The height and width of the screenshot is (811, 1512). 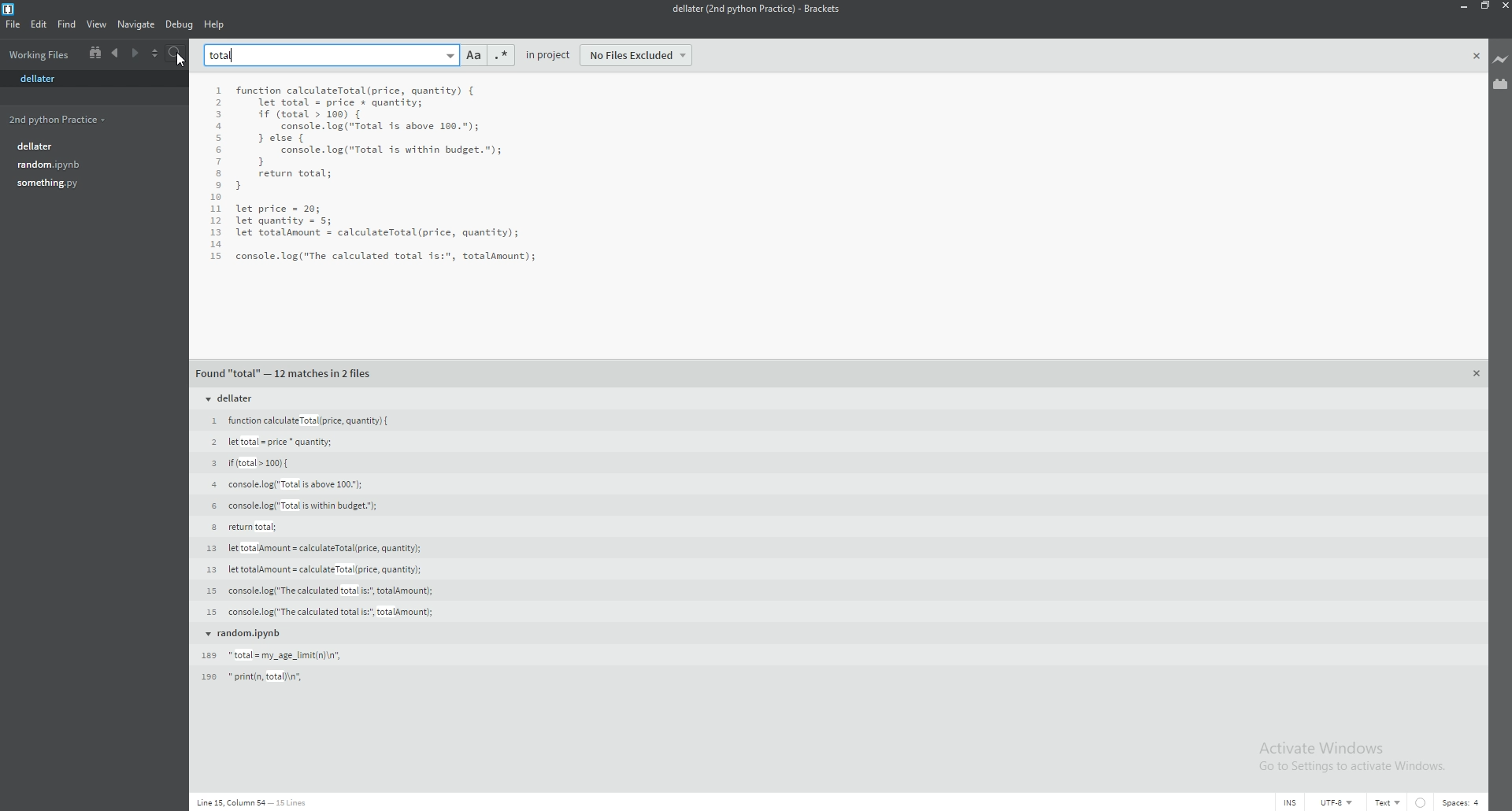 What do you see at coordinates (135, 54) in the screenshot?
I see `next` at bounding box center [135, 54].